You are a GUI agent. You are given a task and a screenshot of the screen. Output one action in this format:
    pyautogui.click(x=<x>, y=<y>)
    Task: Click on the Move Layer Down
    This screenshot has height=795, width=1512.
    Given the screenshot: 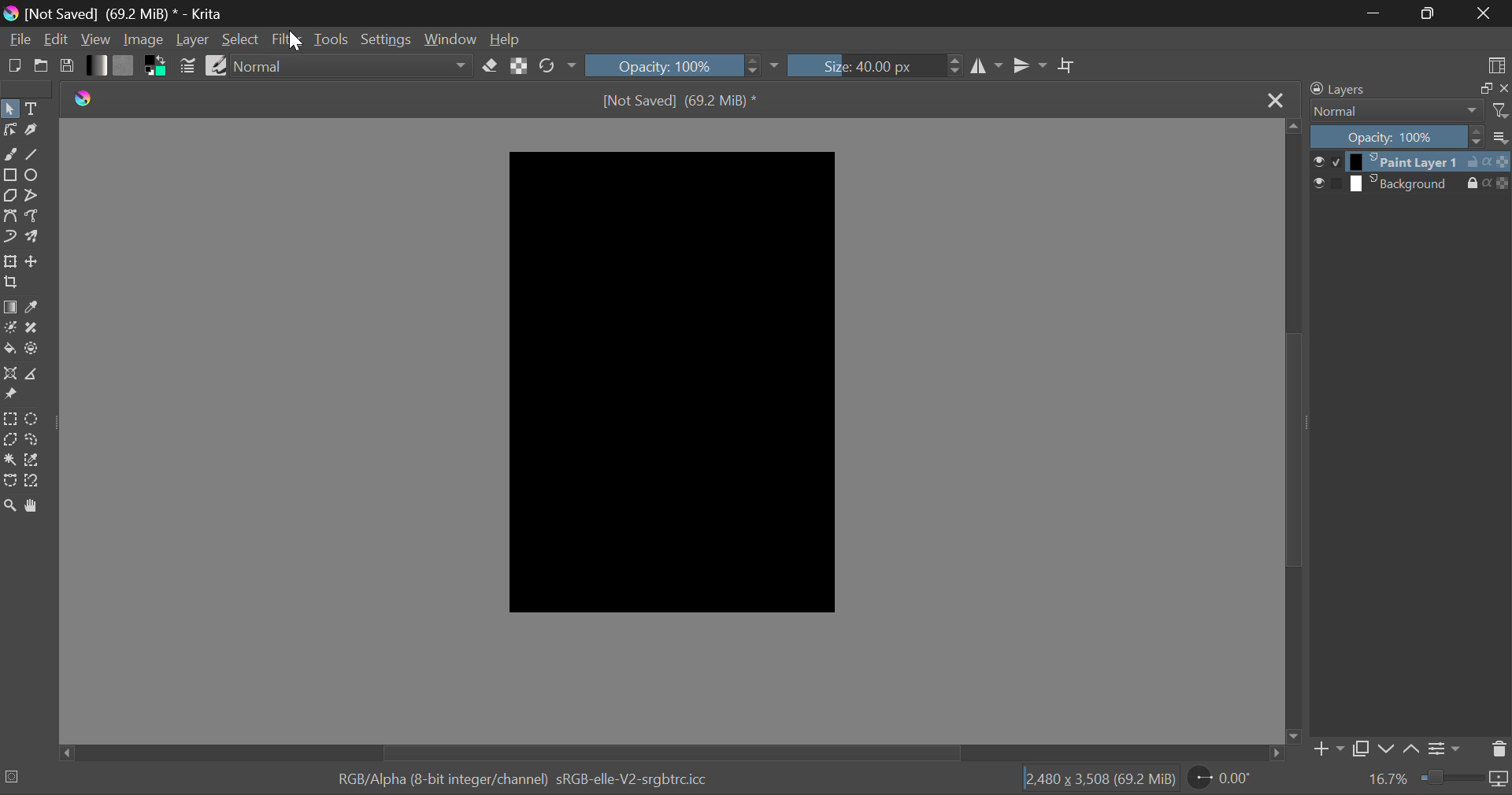 What is the action you would take?
    pyautogui.click(x=1388, y=747)
    